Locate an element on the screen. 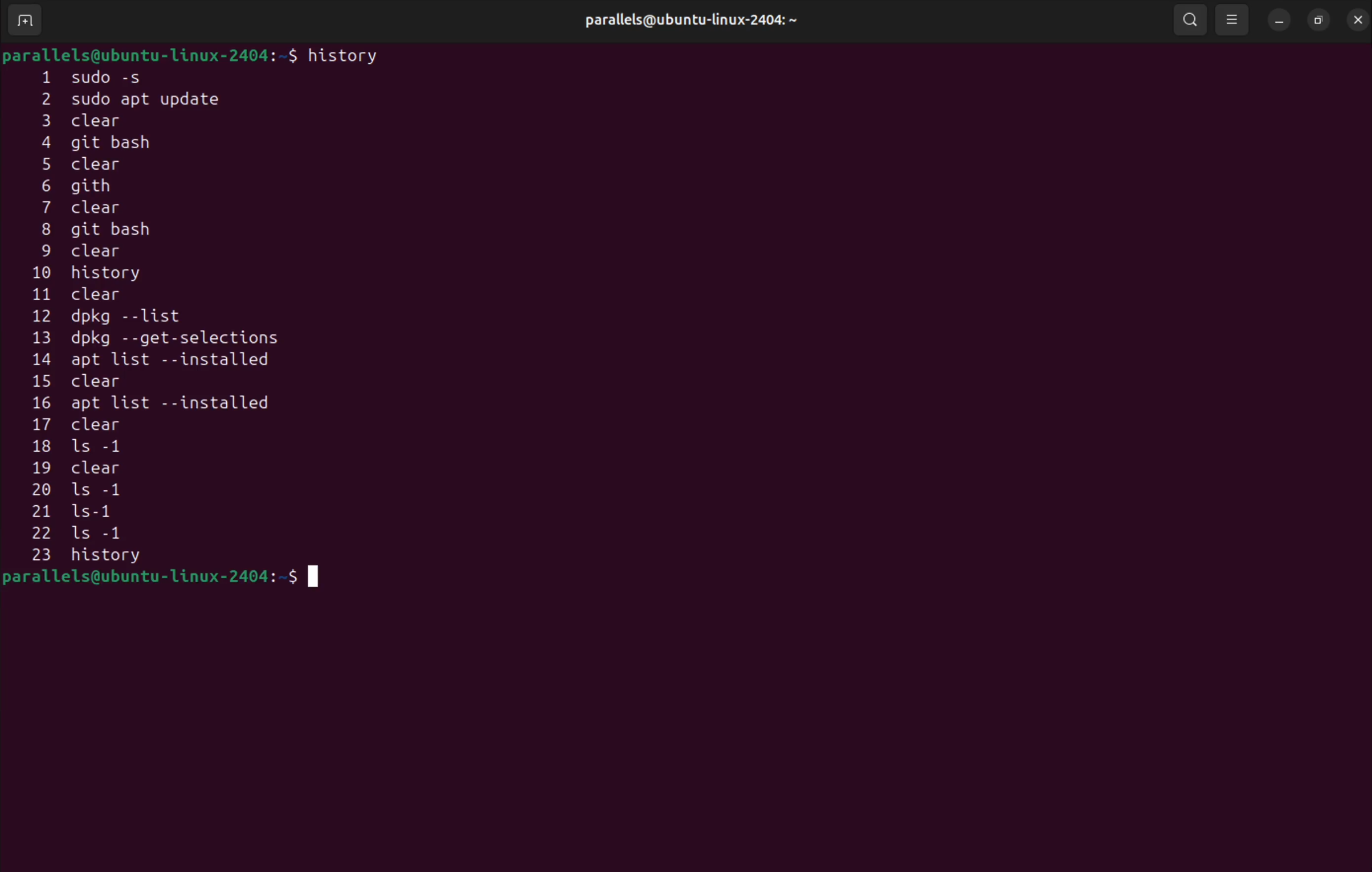  2 sudo apt update is located at coordinates (141, 100).